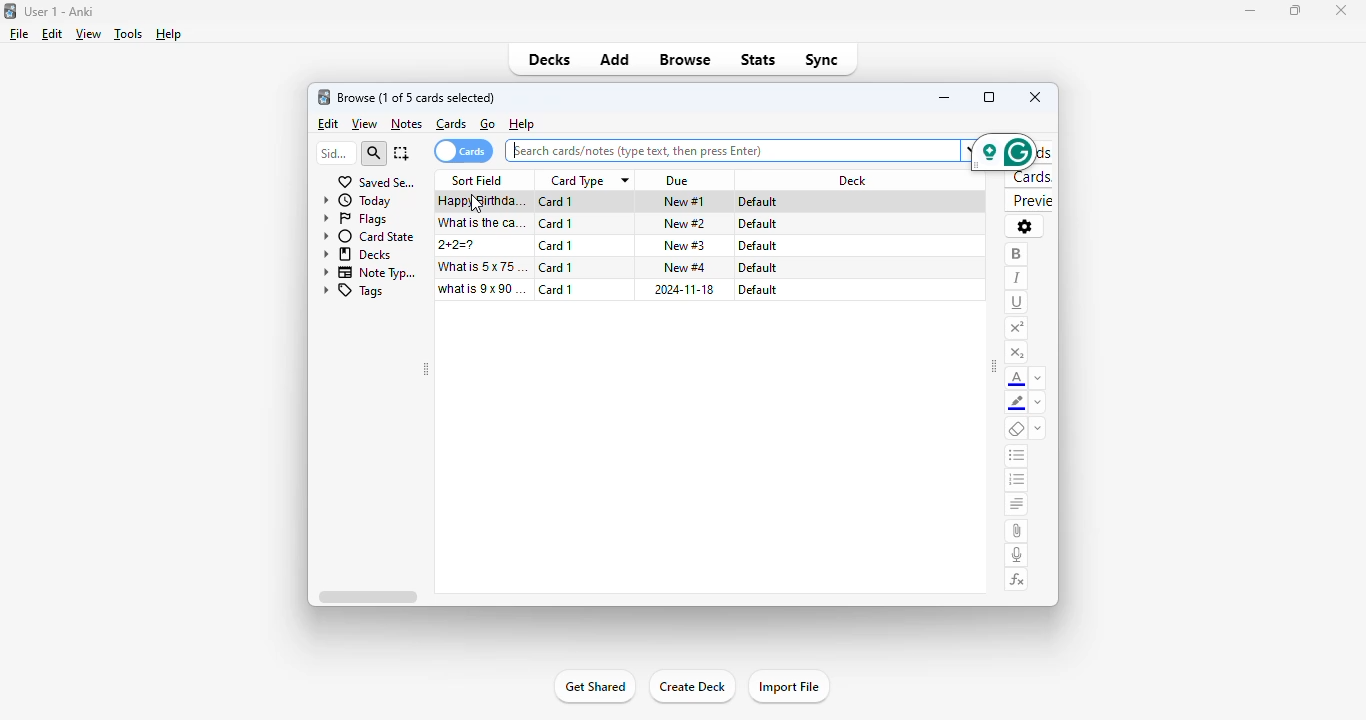  I want to click on stats, so click(759, 59).